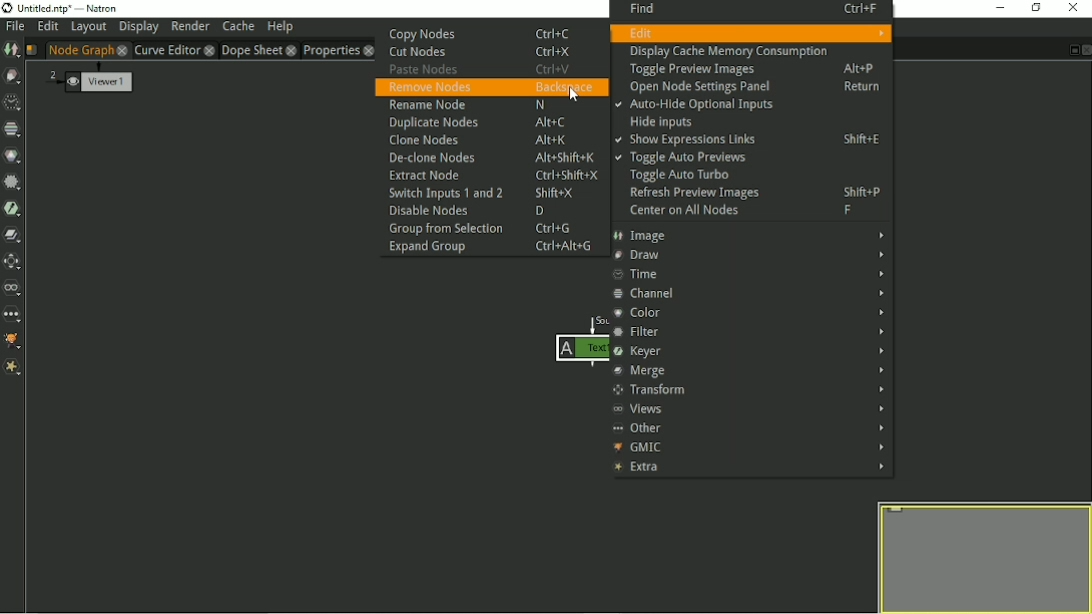 The width and height of the screenshot is (1092, 614). I want to click on close, so click(292, 50).